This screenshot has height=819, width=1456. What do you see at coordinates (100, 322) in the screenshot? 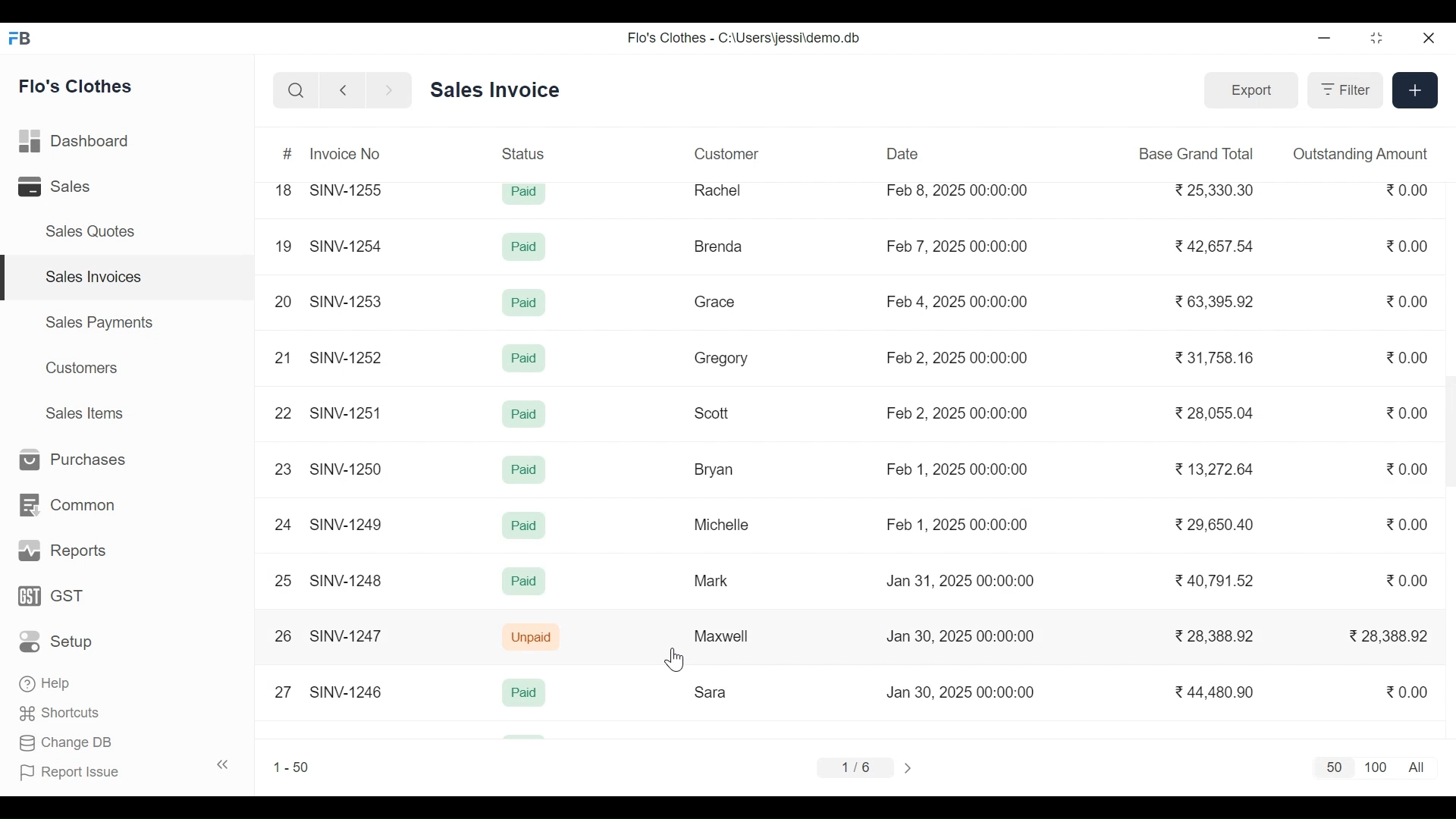
I see `Sales Payments` at bounding box center [100, 322].